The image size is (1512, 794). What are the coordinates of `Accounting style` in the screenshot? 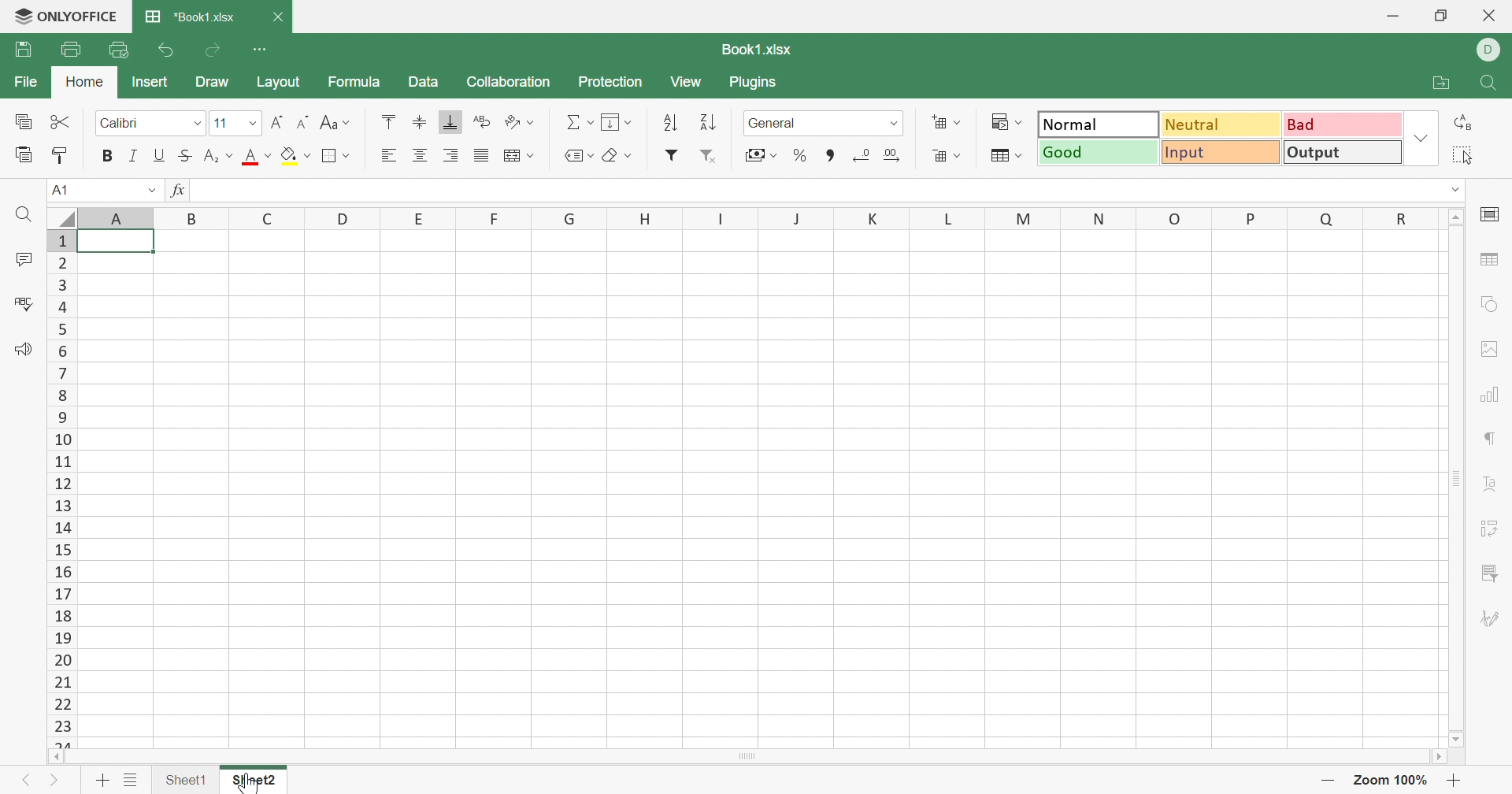 It's located at (754, 155).